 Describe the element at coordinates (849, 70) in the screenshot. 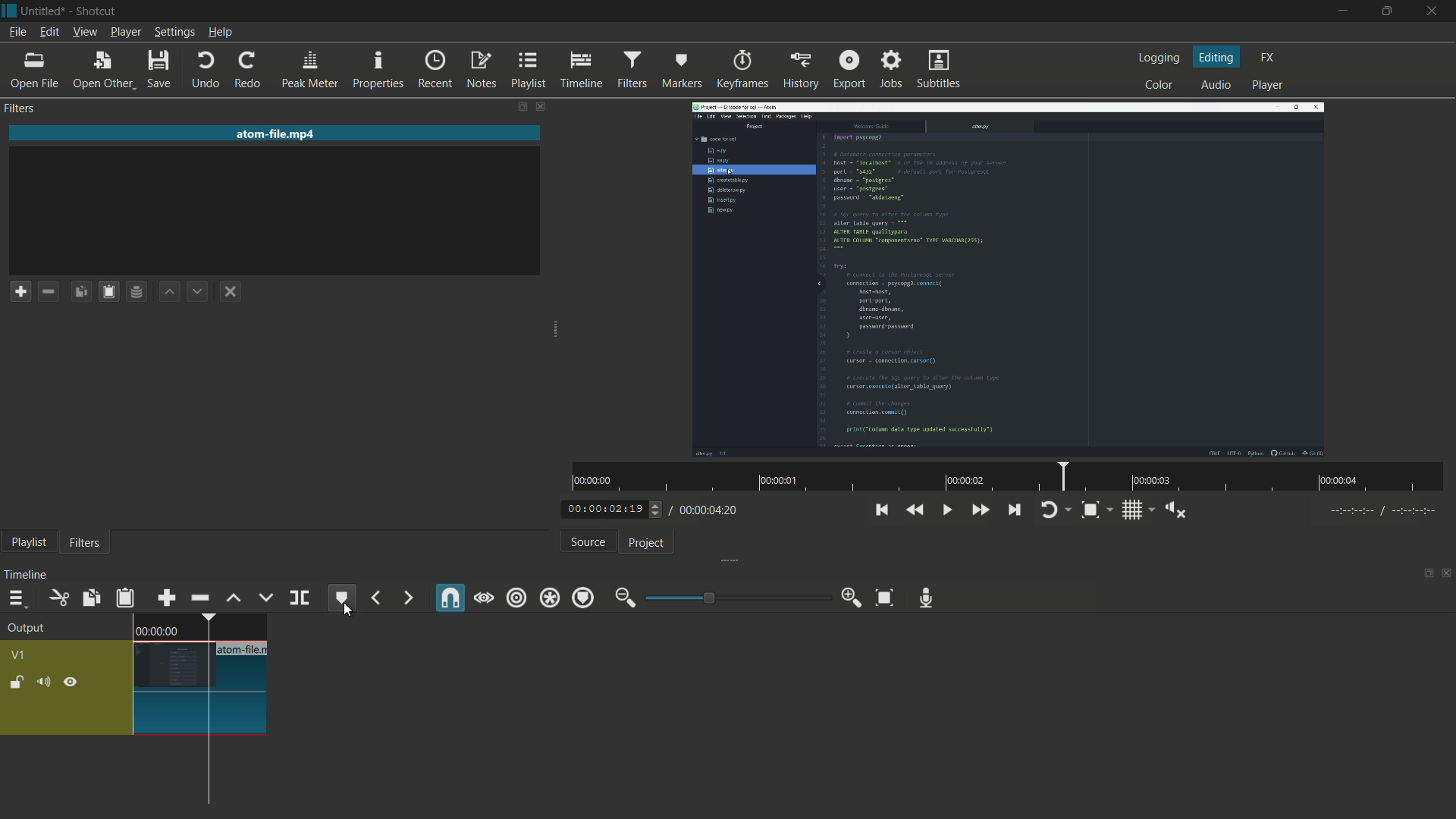

I see `export` at that location.